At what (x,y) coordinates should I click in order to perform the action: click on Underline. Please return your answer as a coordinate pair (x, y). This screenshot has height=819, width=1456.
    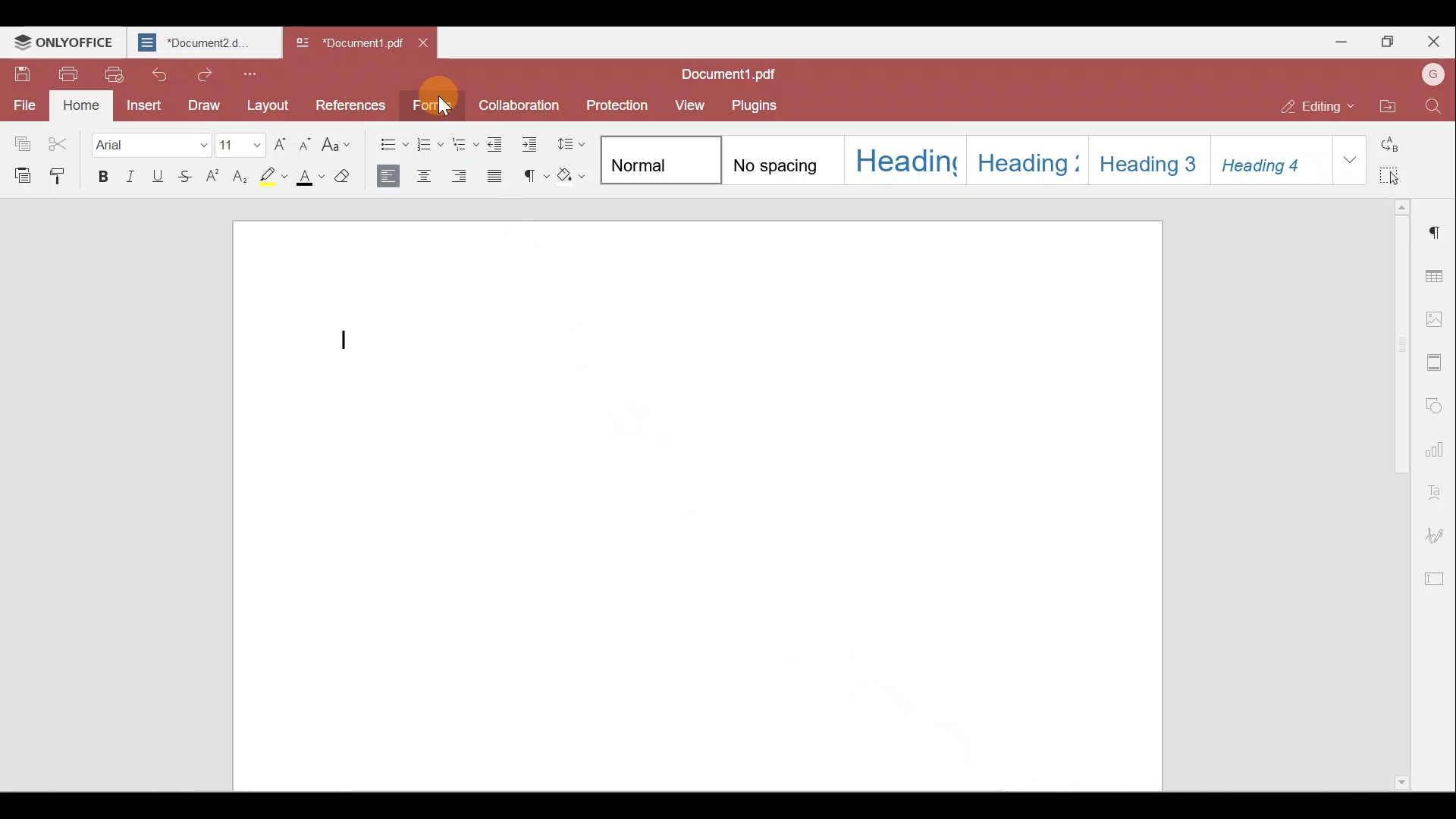
    Looking at the image, I should click on (158, 180).